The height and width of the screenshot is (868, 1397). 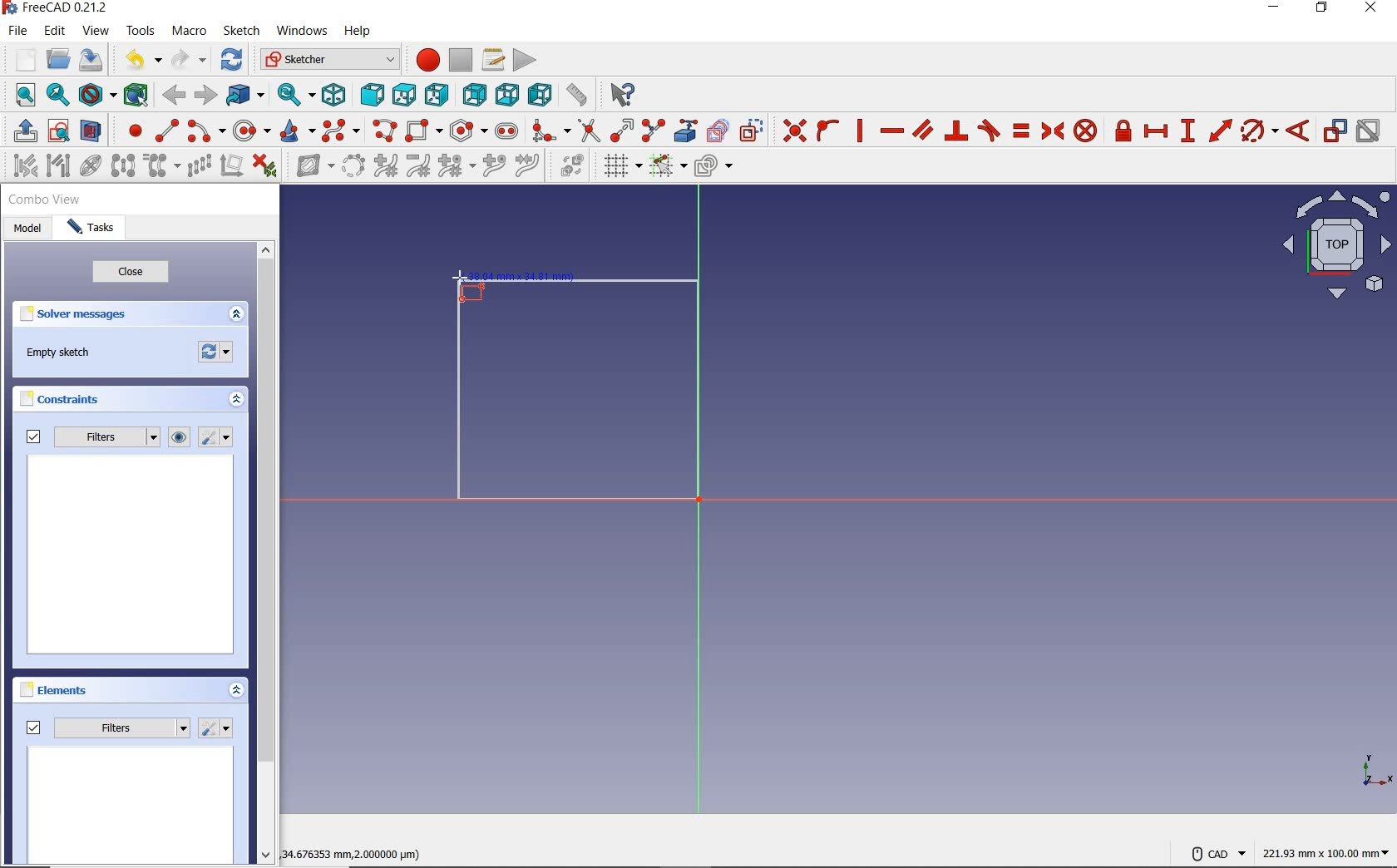 What do you see at coordinates (538, 96) in the screenshot?
I see `left` at bounding box center [538, 96].